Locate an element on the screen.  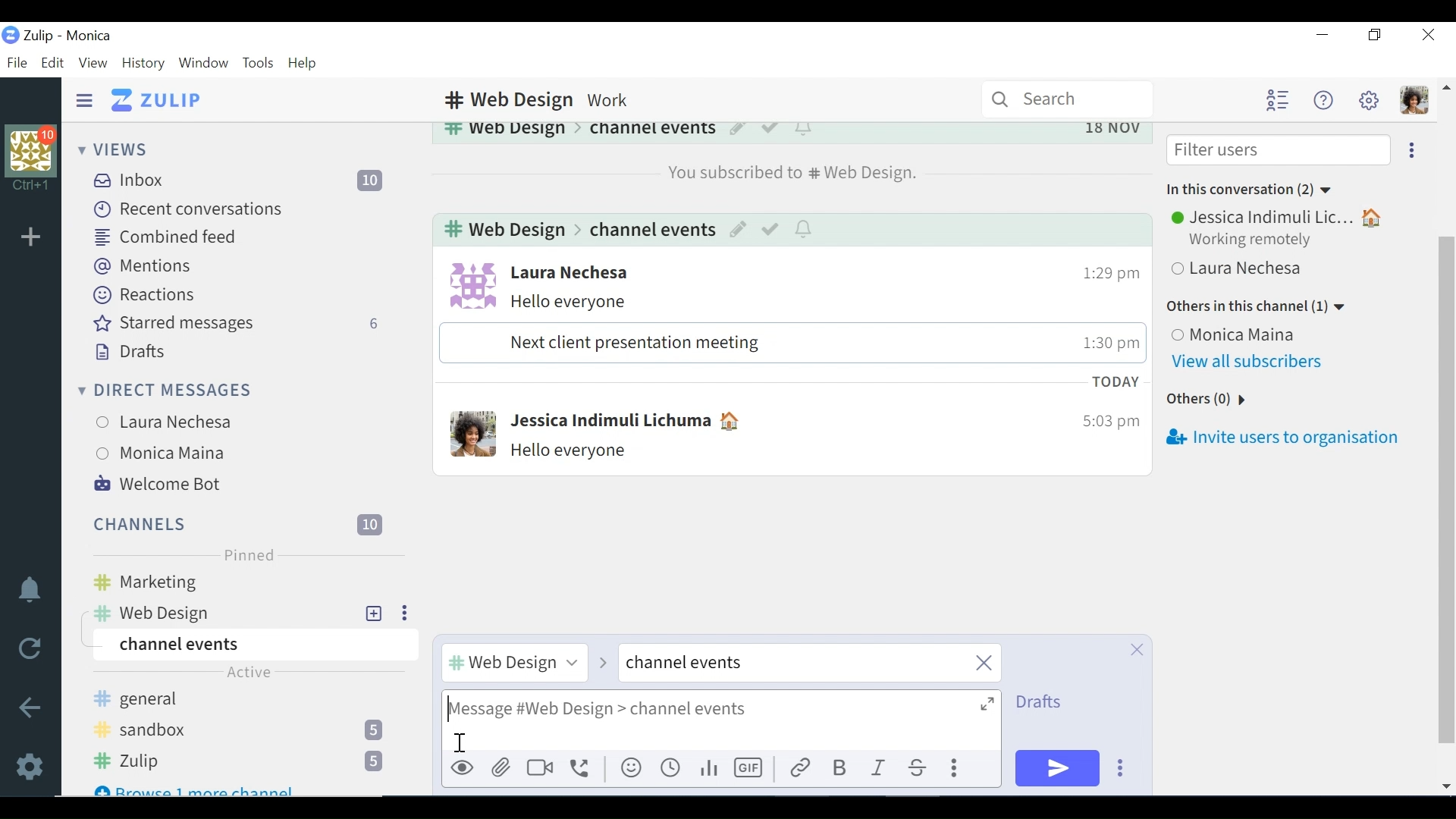
Today is located at coordinates (1113, 381).